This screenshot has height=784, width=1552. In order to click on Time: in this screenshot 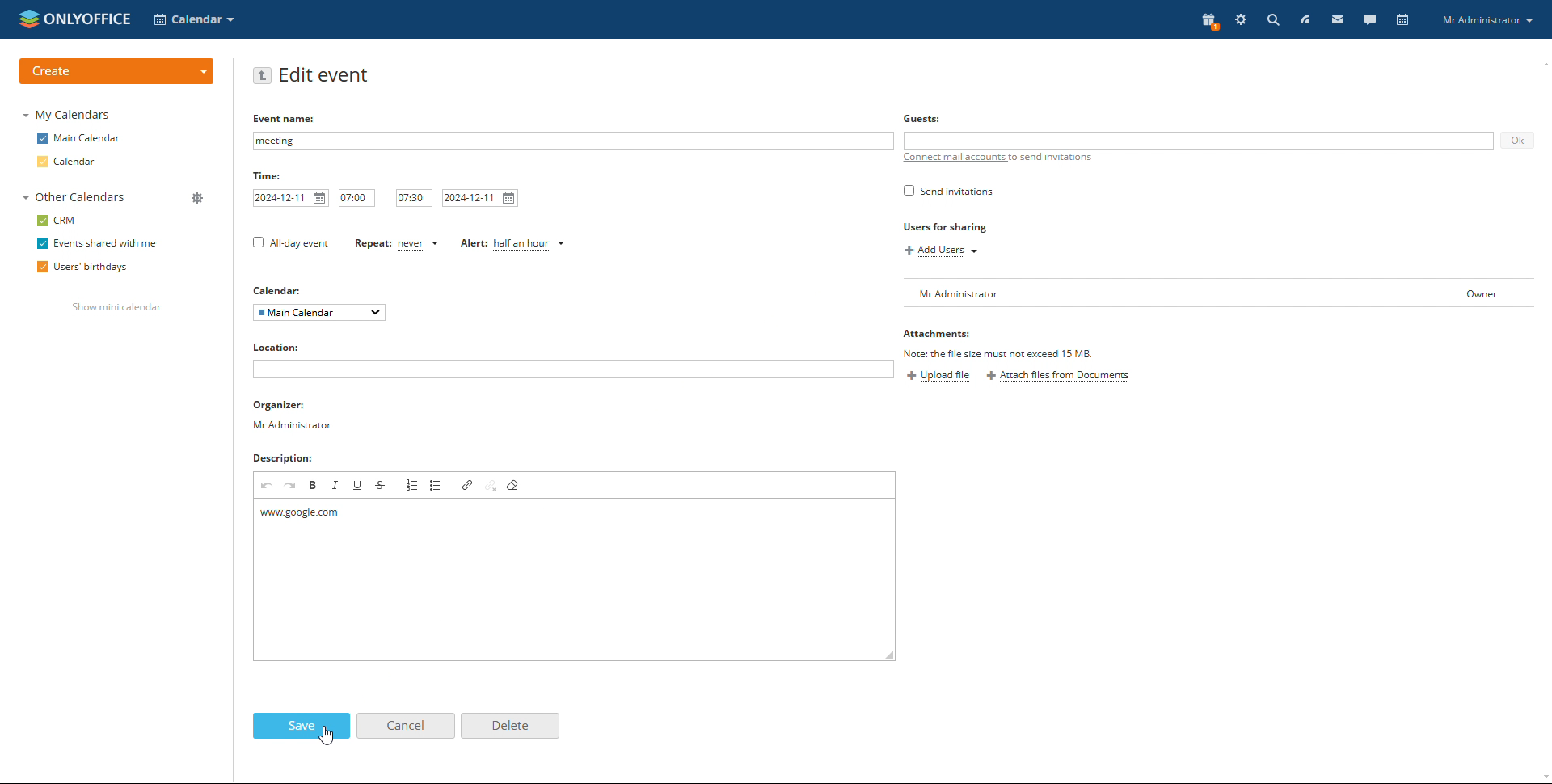, I will do `click(268, 176)`.